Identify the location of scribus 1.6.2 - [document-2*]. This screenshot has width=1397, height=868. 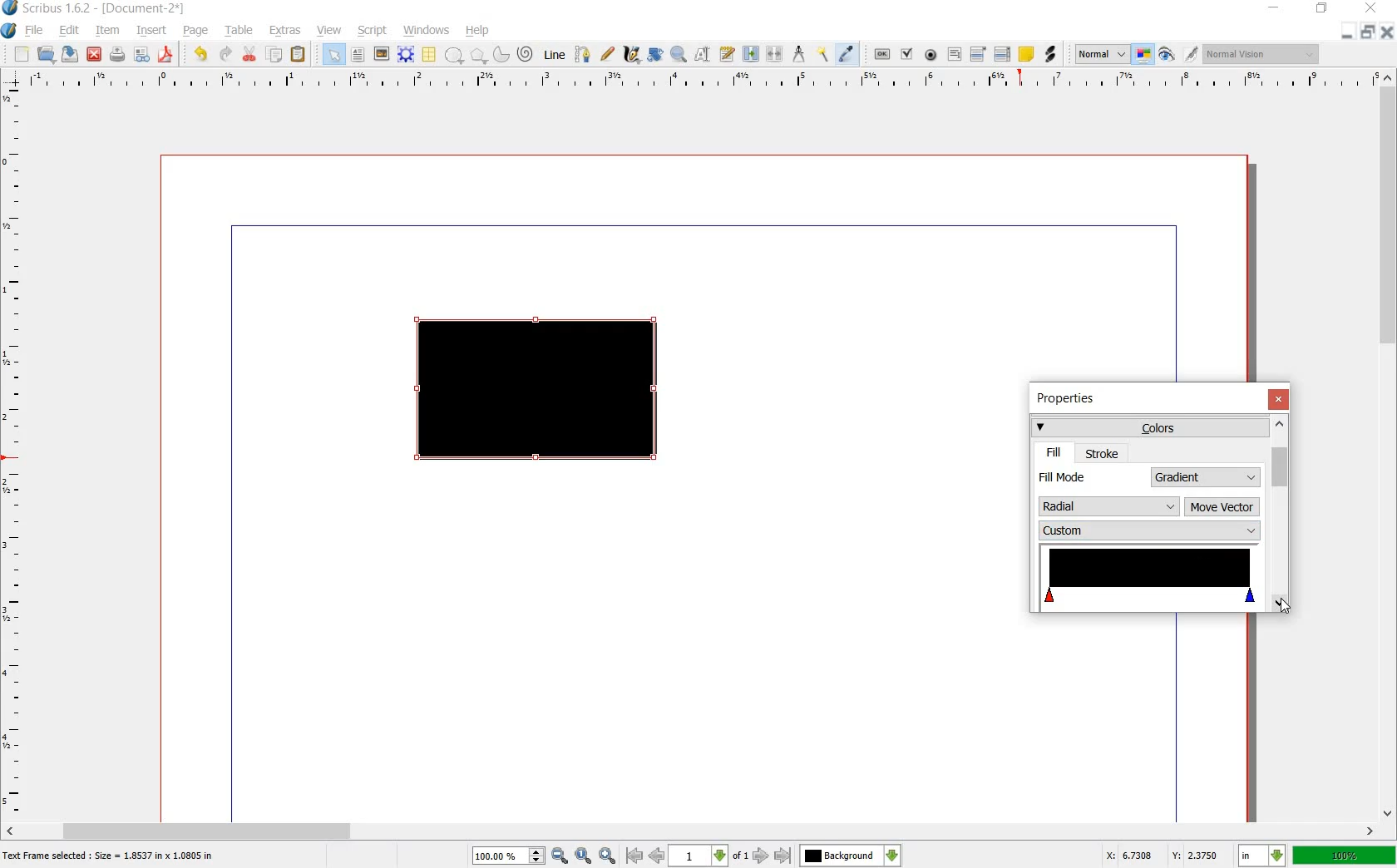
(110, 9).